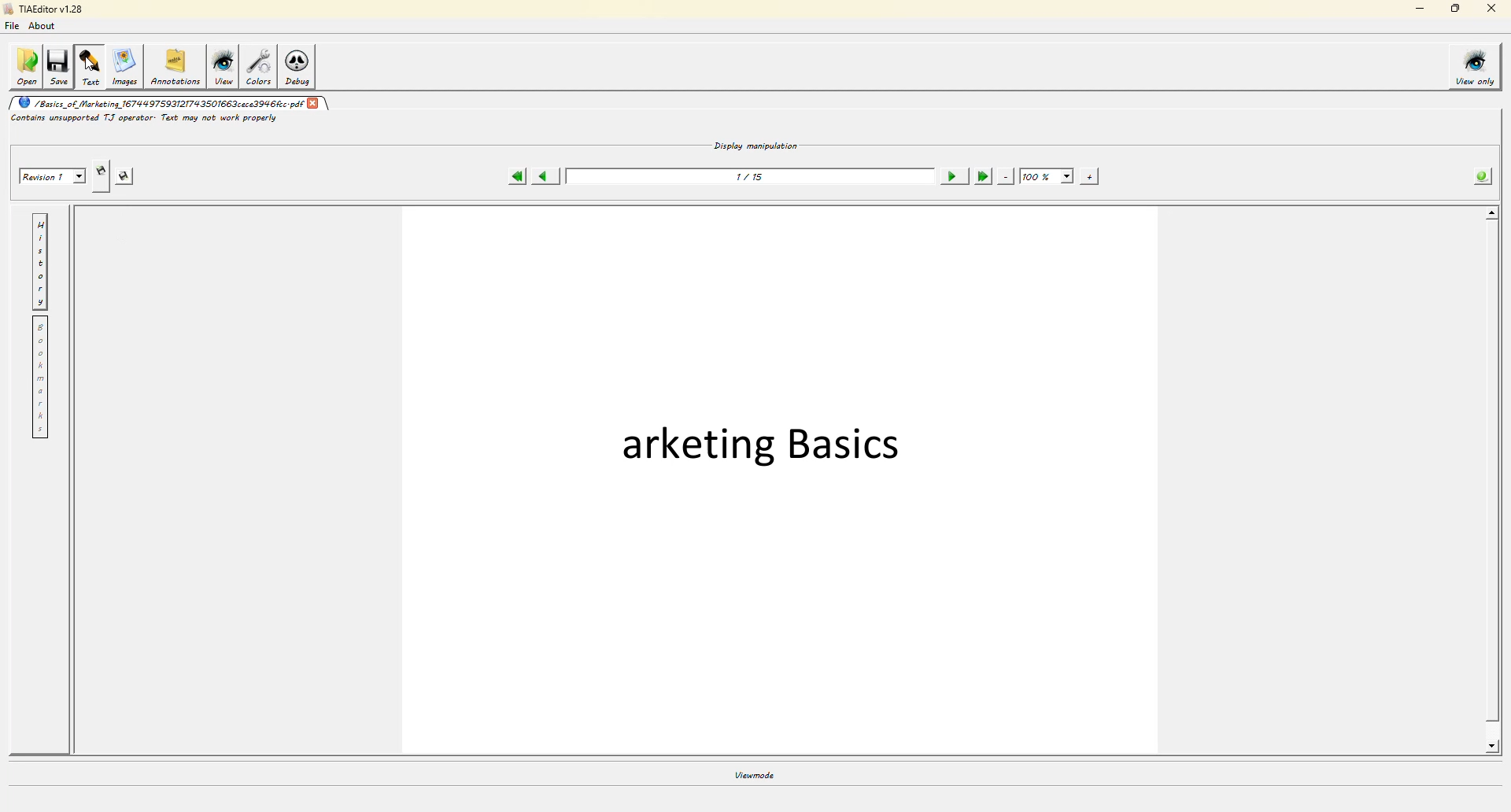 The height and width of the screenshot is (812, 1511). I want to click on revision, so click(50, 174).